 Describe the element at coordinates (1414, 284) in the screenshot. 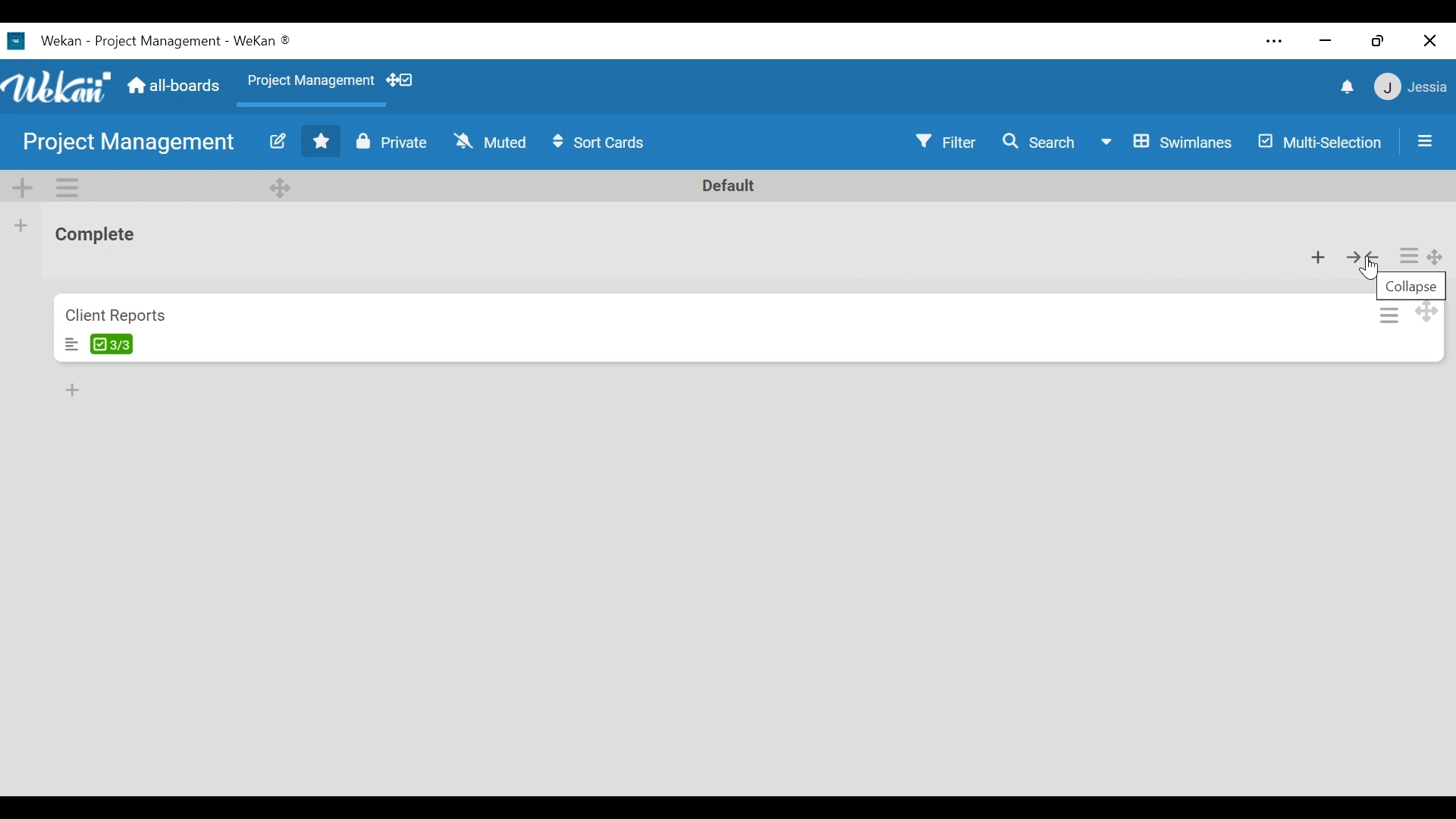

I see `Collapse` at that location.